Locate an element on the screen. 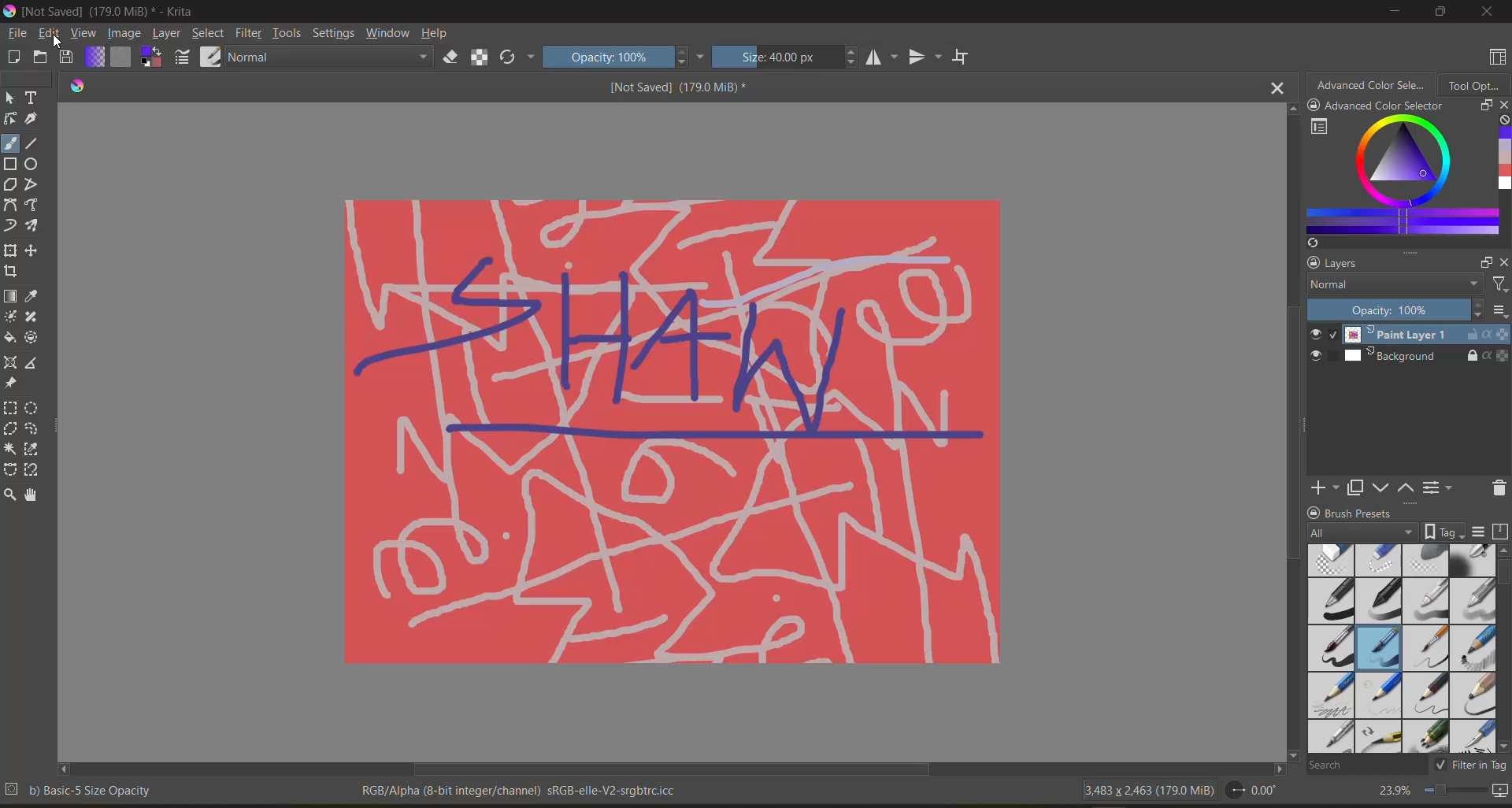  normal is located at coordinates (330, 57).